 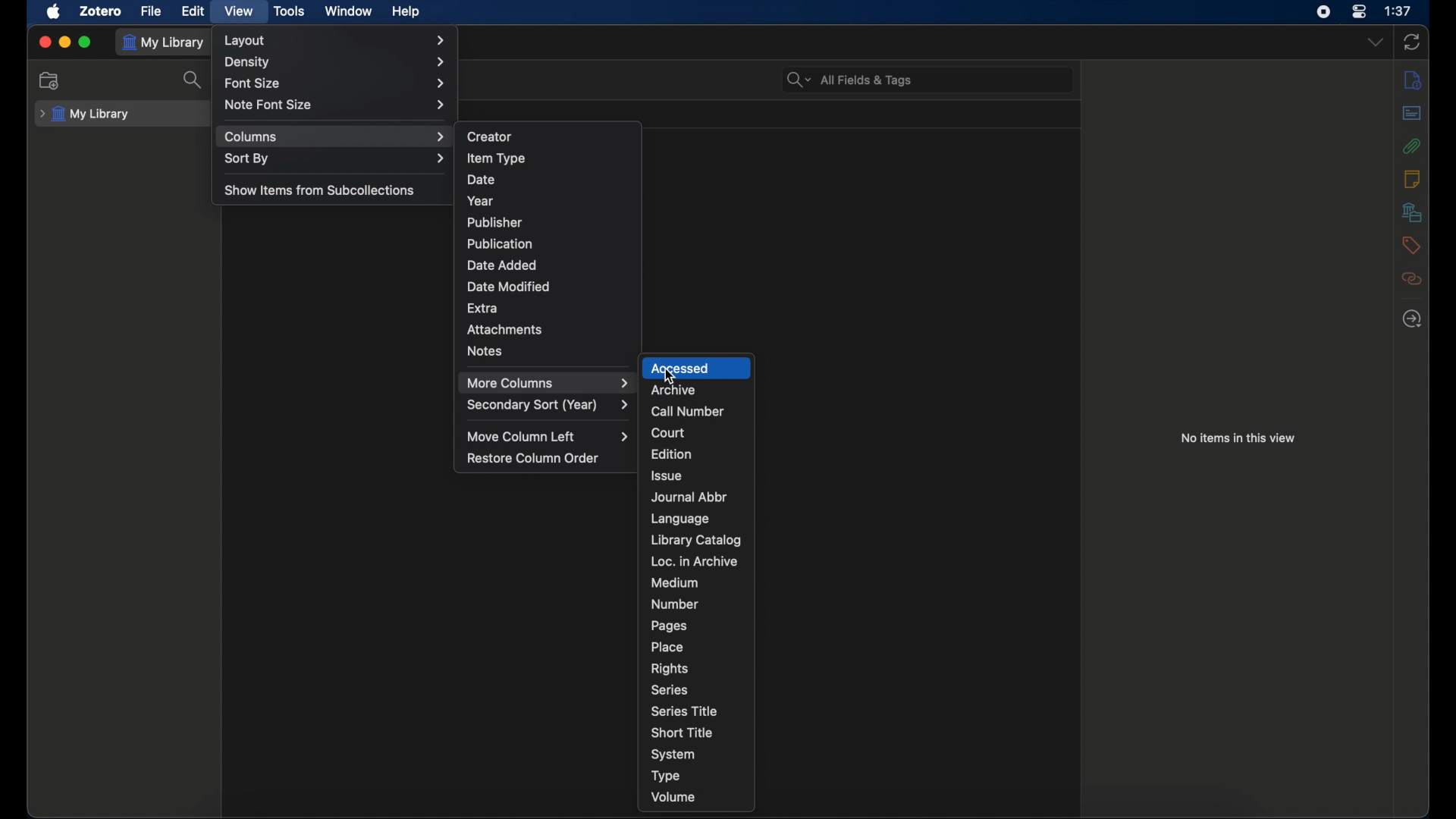 I want to click on loc. in archive, so click(x=695, y=561).